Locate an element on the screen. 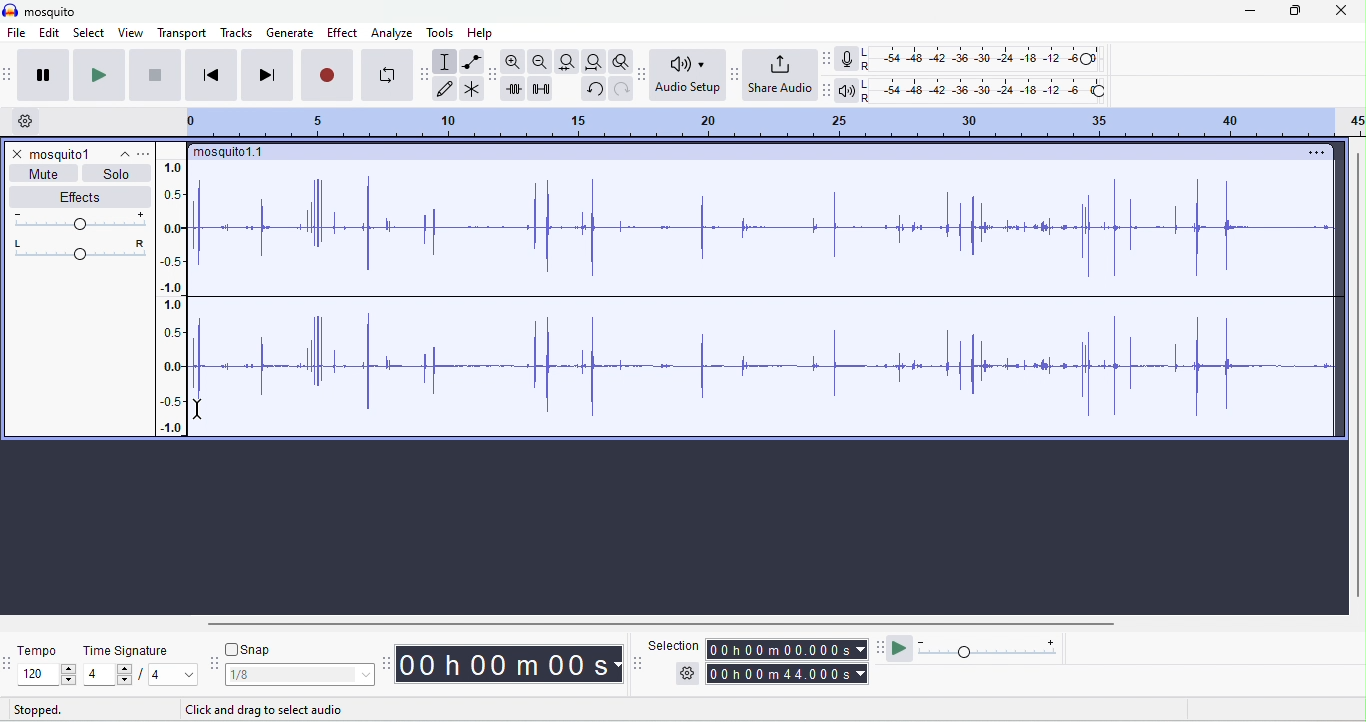 The image size is (1366, 722). cursor is located at coordinates (199, 412).